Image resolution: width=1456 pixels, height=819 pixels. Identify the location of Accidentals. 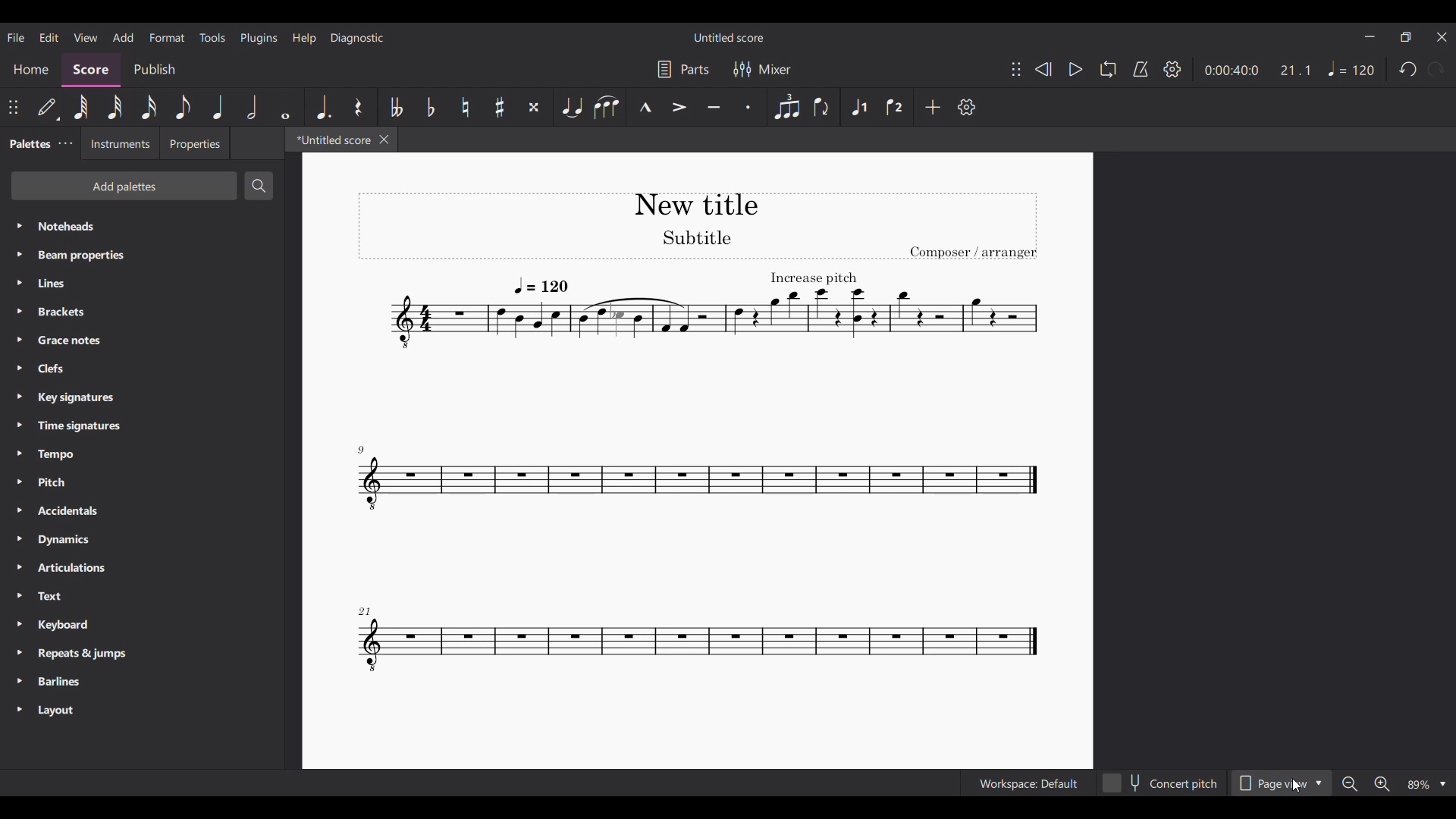
(142, 510).